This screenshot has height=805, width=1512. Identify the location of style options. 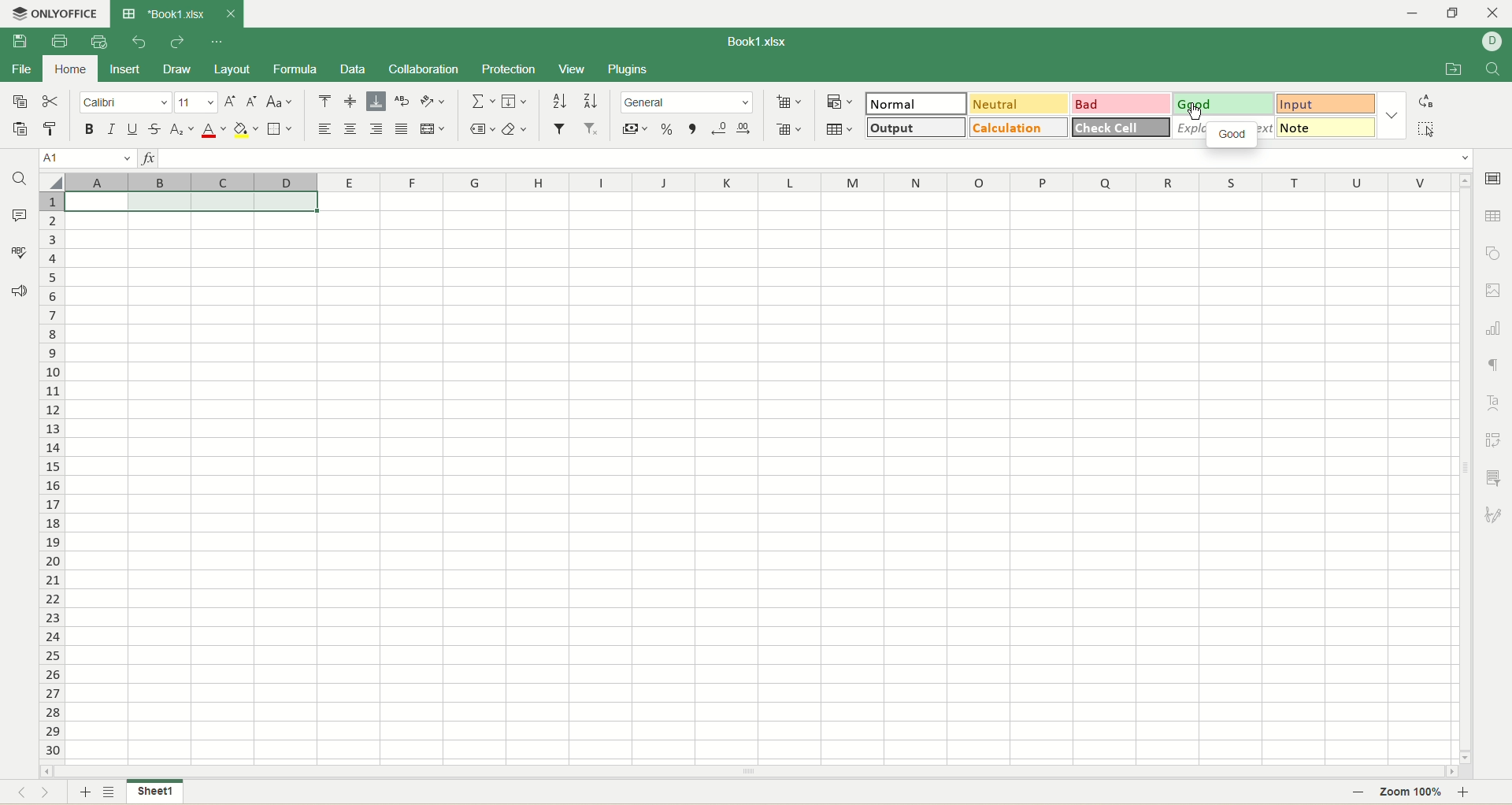
(1390, 114).